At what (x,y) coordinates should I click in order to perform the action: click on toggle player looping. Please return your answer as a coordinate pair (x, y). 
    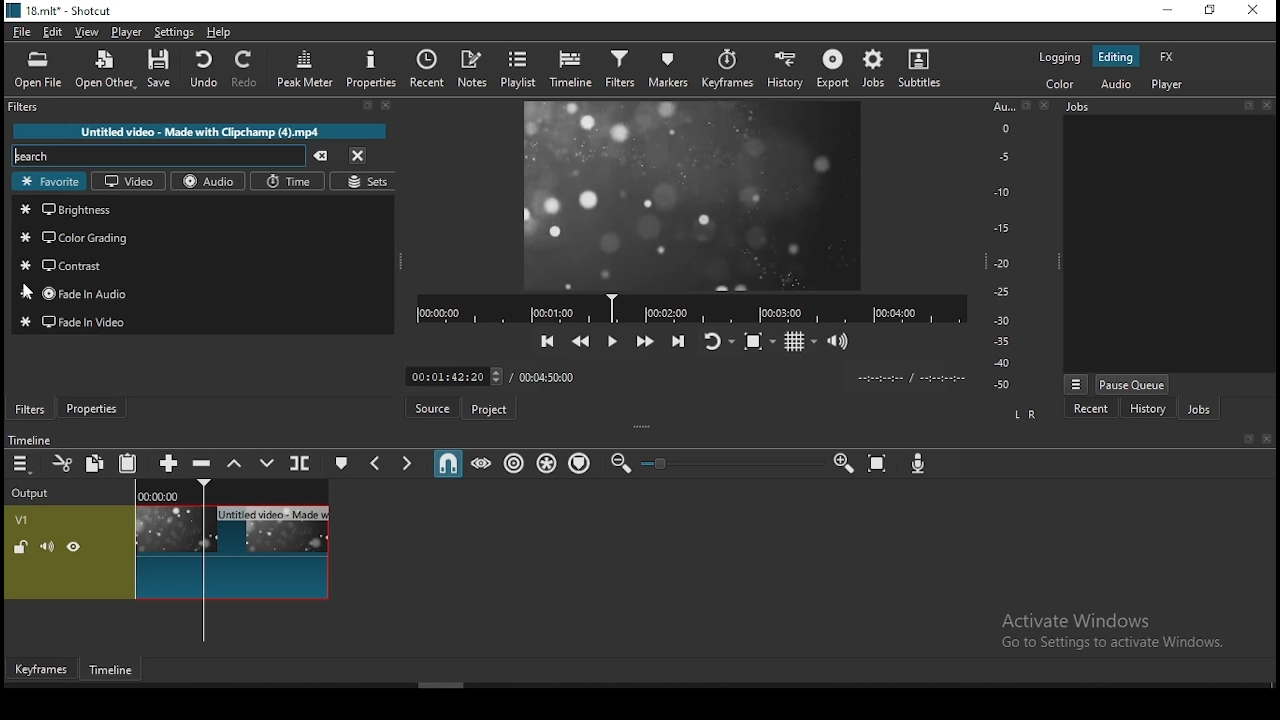
    Looking at the image, I should click on (721, 341).